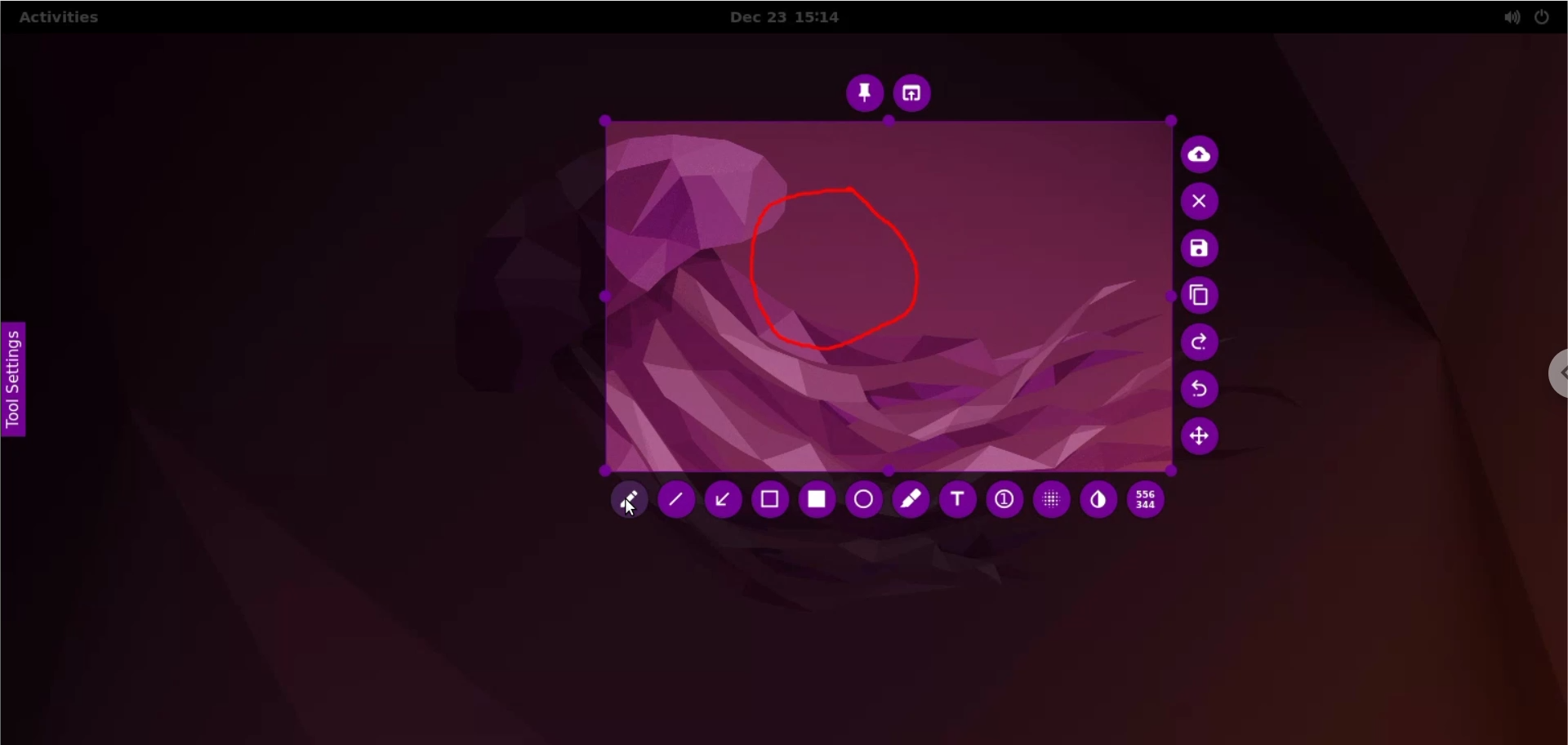  What do you see at coordinates (1053, 502) in the screenshot?
I see `pixelette` at bounding box center [1053, 502].